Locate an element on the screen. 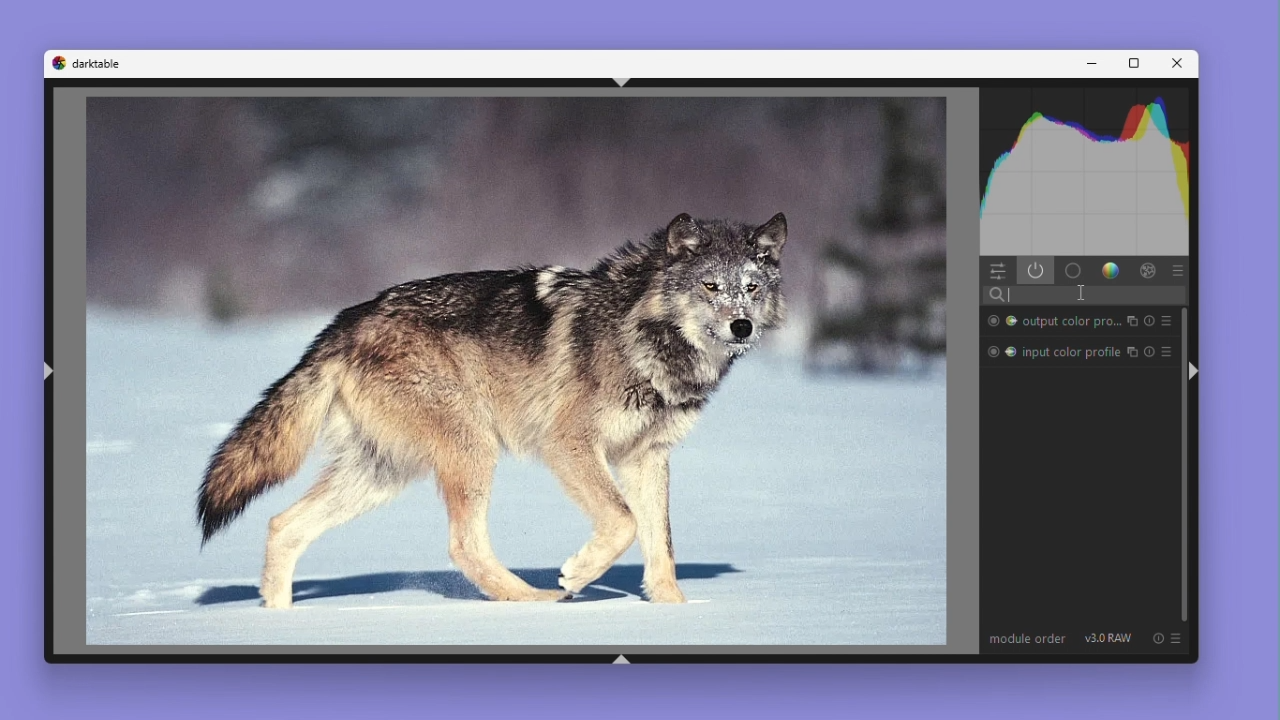 Image resolution: width=1280 pixels, height=720 pixels. shift+ctrl+t is located at coordinates (619, 81).